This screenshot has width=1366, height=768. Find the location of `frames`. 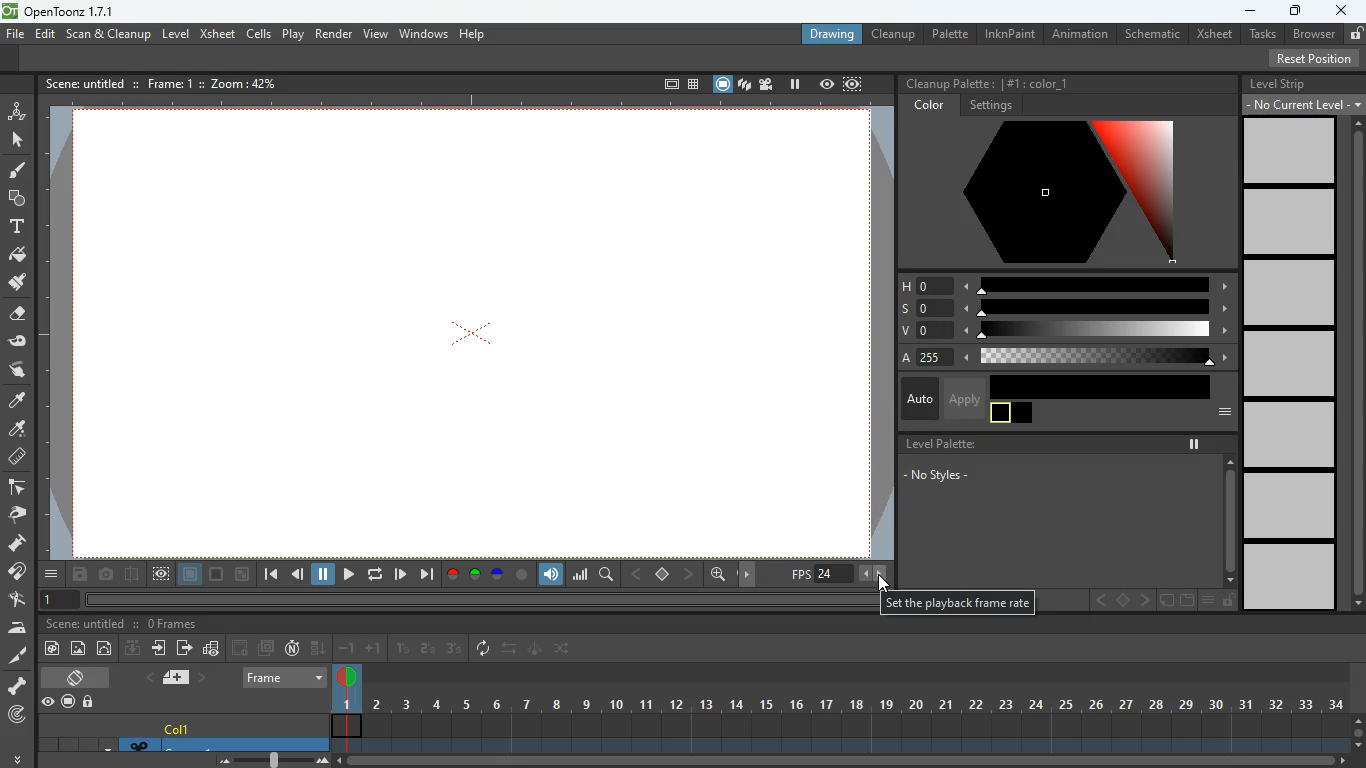

frames is located at coordinates (172, 623).